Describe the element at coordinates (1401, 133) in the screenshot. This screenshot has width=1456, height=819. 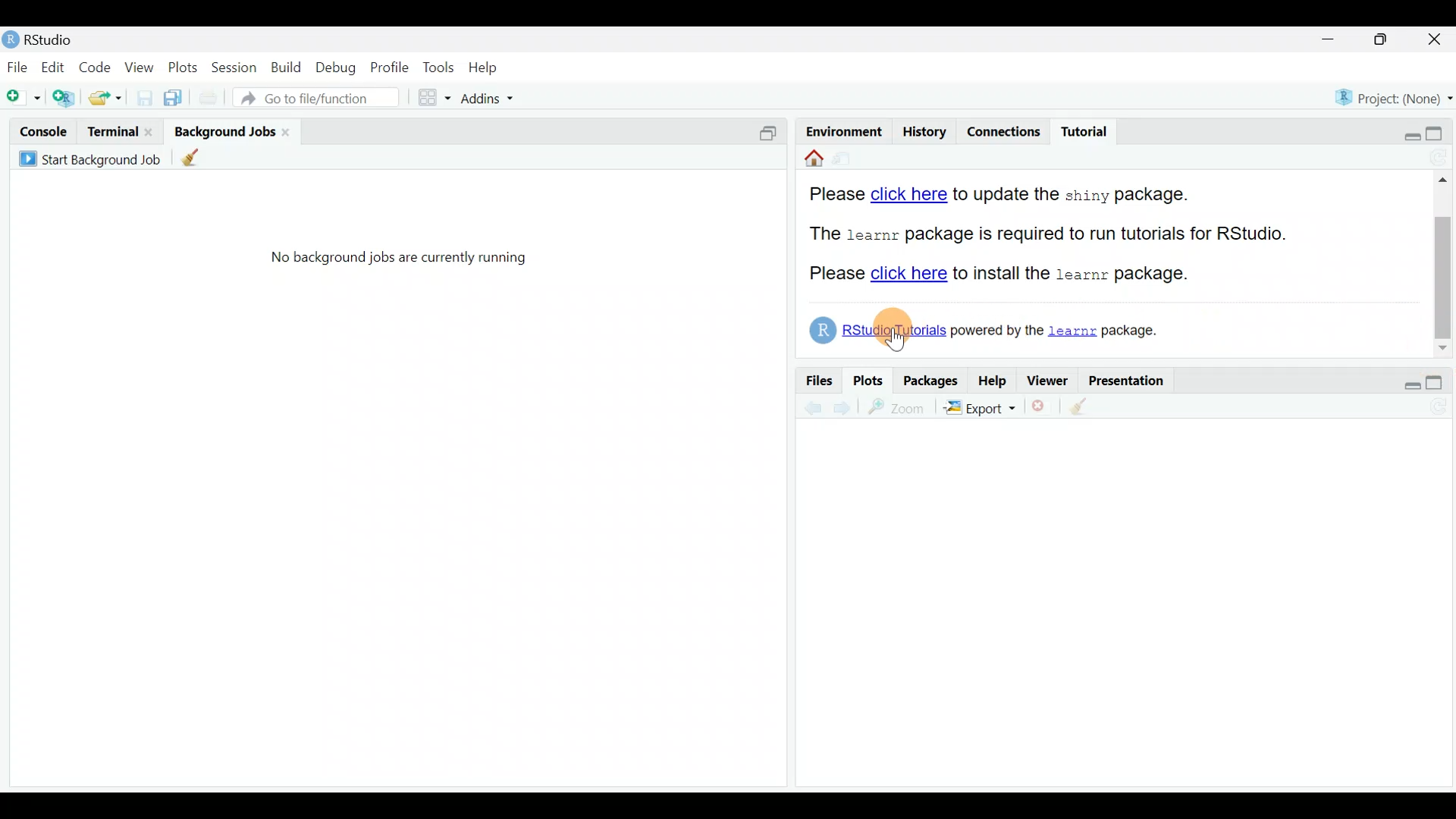
I see `Restore down` at that location.